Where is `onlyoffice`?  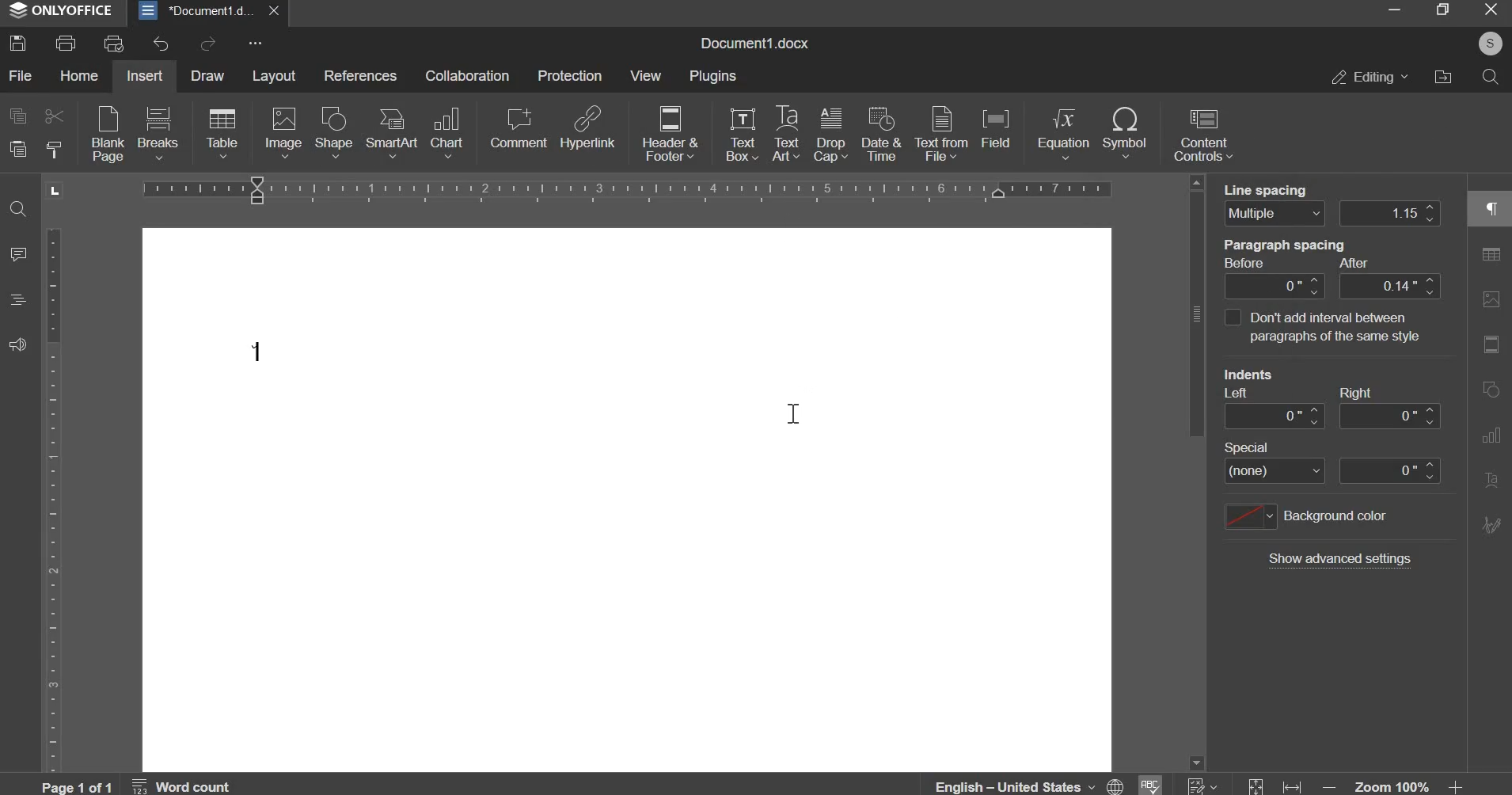
onlyoffice is located at coordinates (62, 10).